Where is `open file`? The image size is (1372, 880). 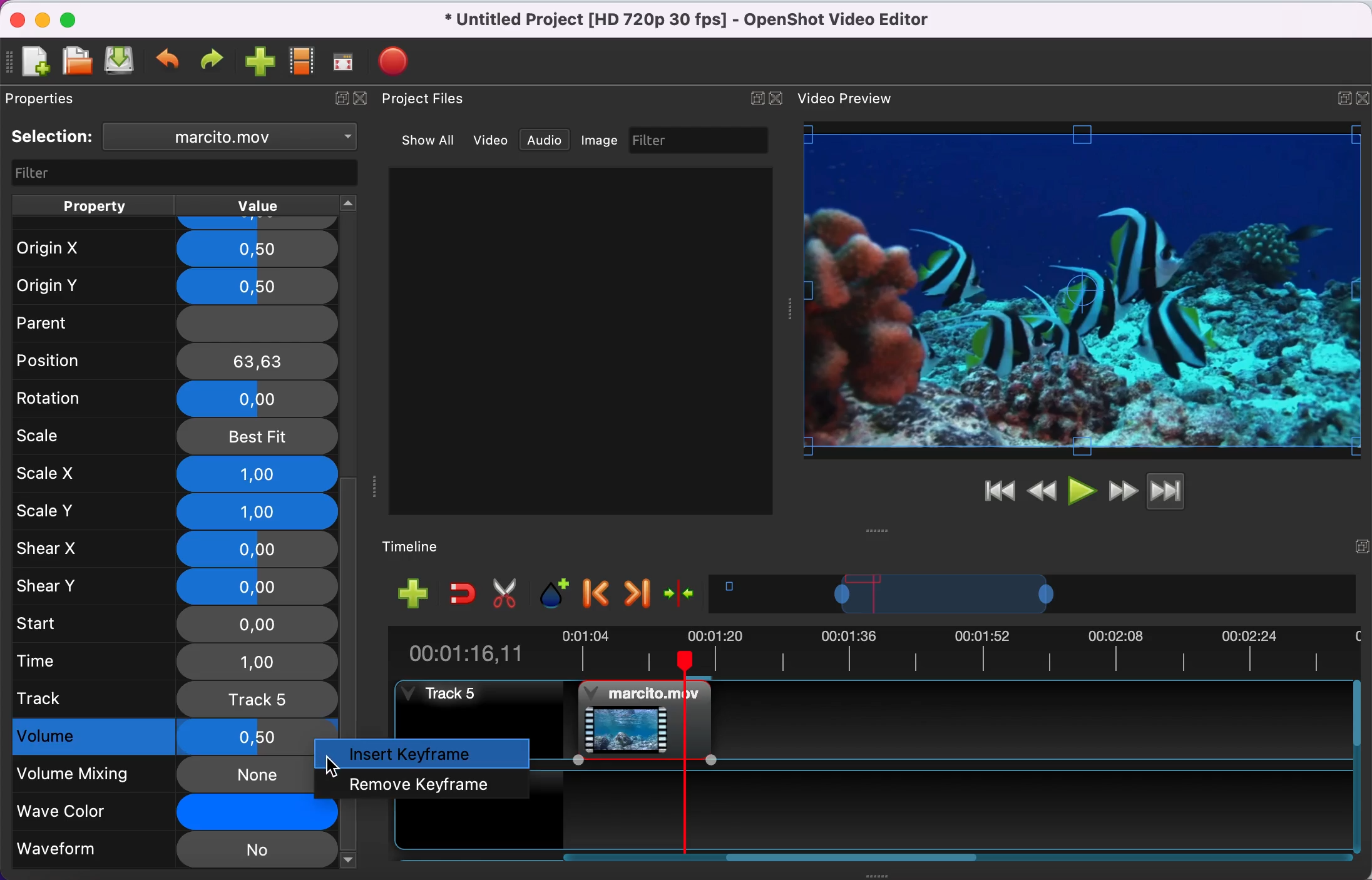 open file is located at coordinates (76, 61).